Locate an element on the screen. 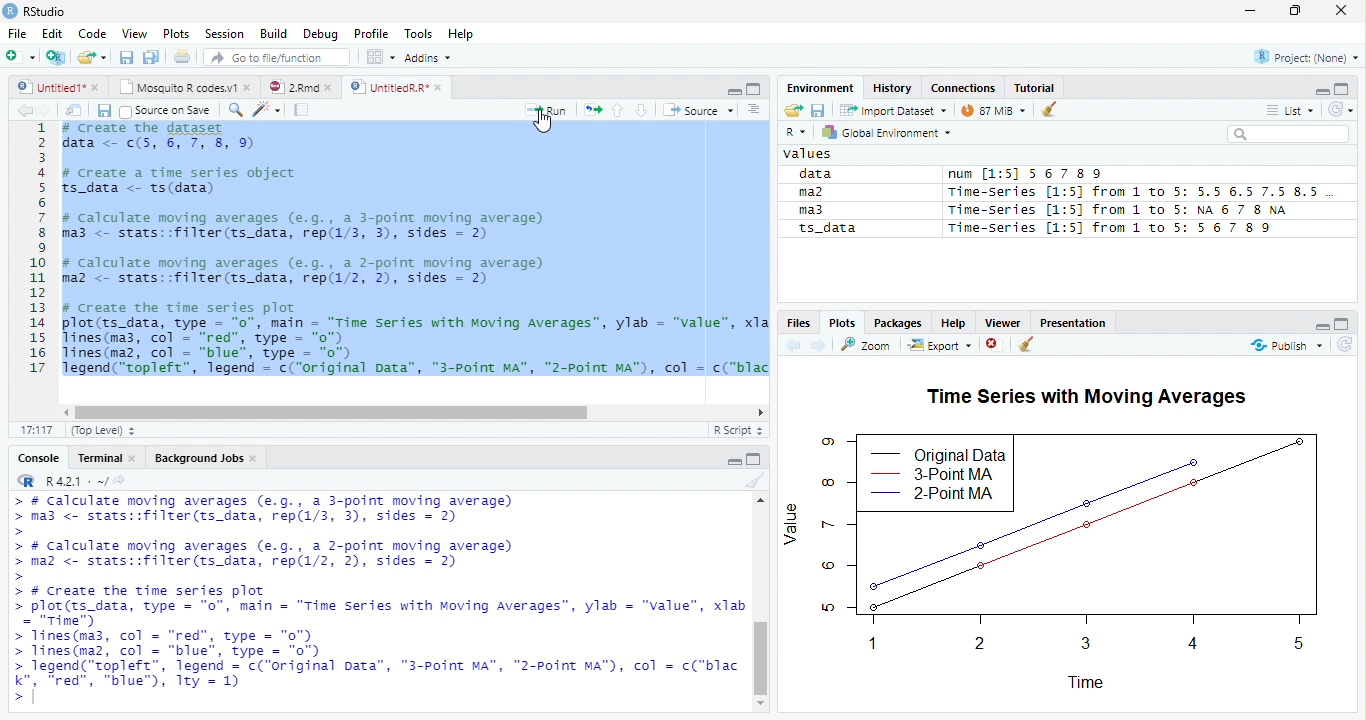 Image resolution: width=1366 pixels, height=720 pixels. Packages is located at coordinates (898, 323).